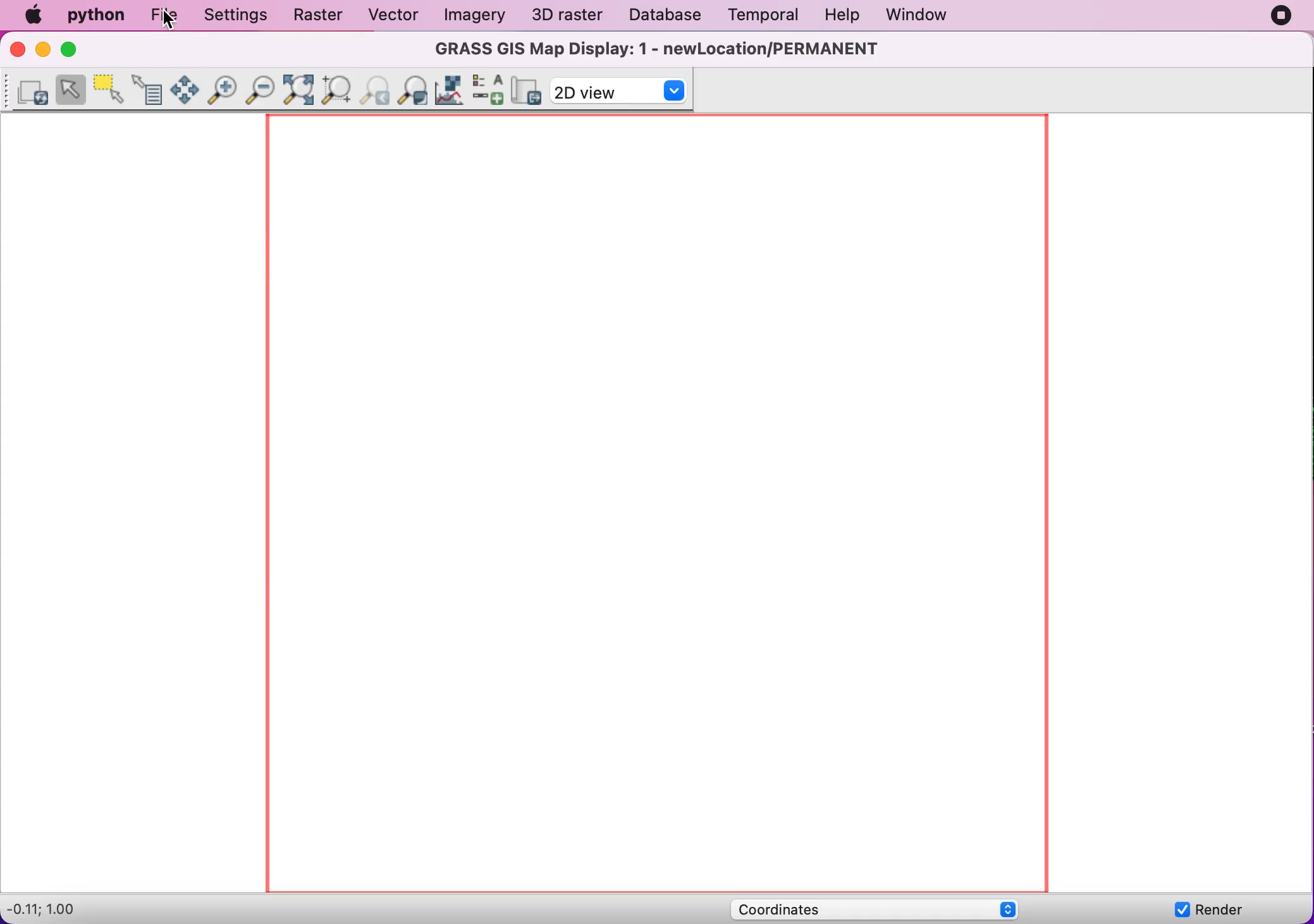 The height and width of the screenshot is (924, 1314). Describe the element at coordinates (341, 90) in the screenshot. I see `Zoom to computational region extent` at that location.